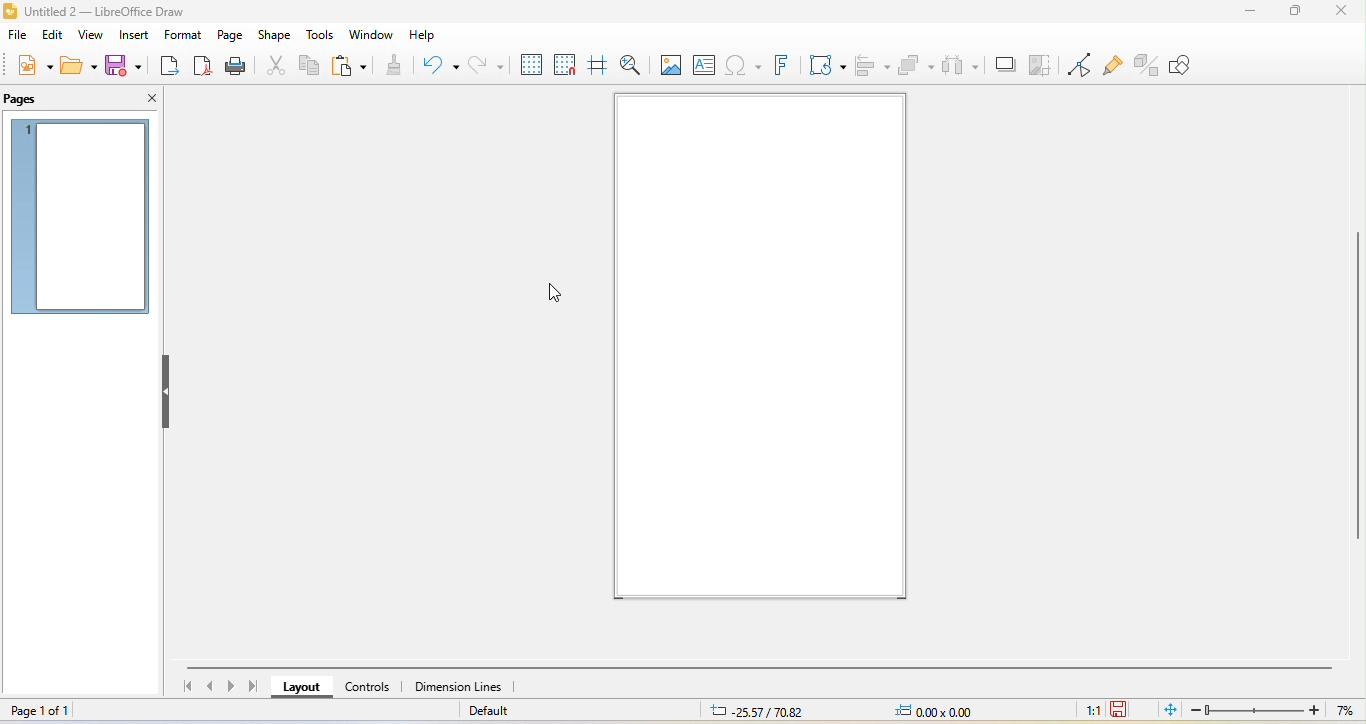 This screenshot has height=724, width=1366. What do you see at coordinates (229, 35) in the screenshot?
I see `page` at bounding box center [229, 35].